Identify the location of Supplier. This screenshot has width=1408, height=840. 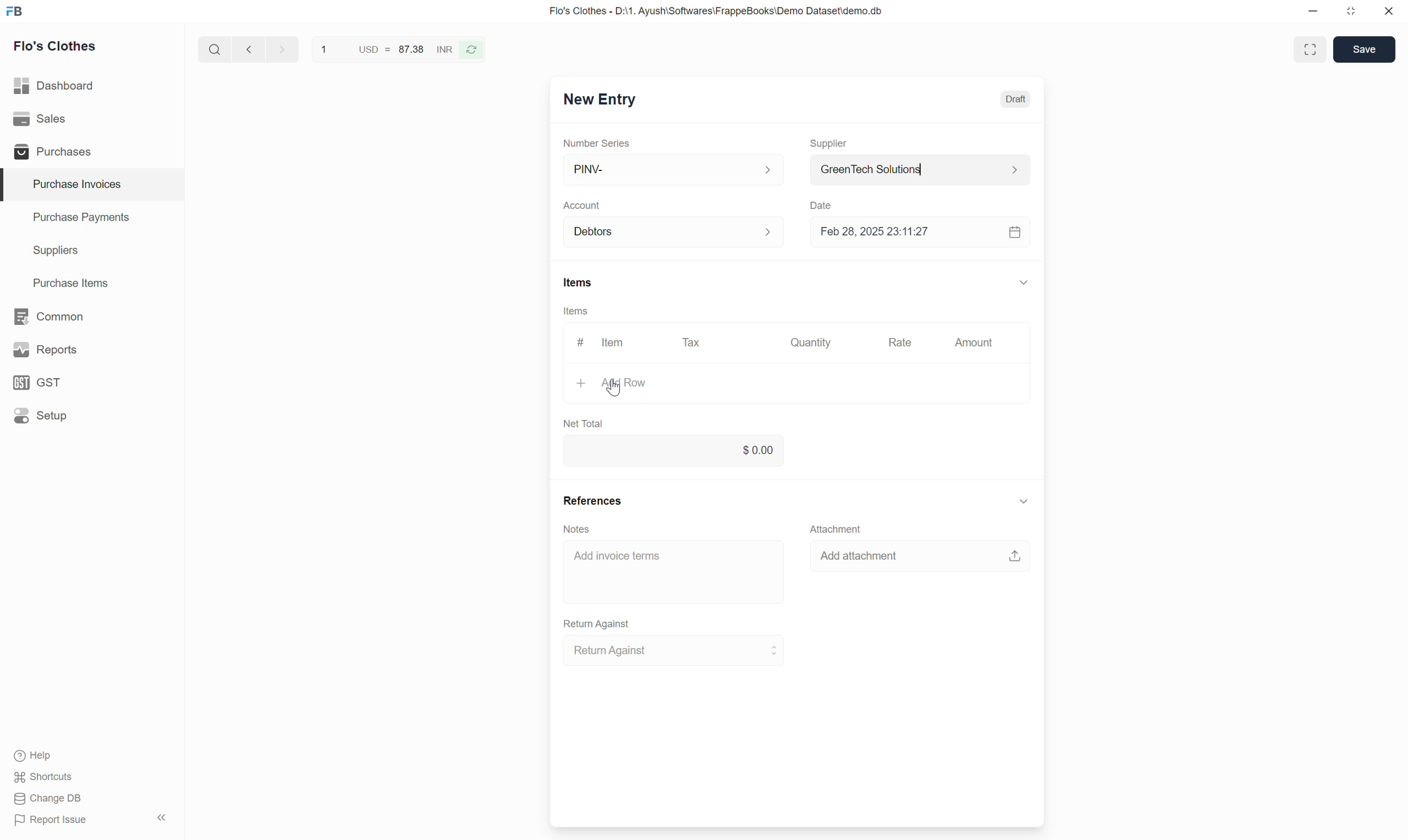
(829, 144).